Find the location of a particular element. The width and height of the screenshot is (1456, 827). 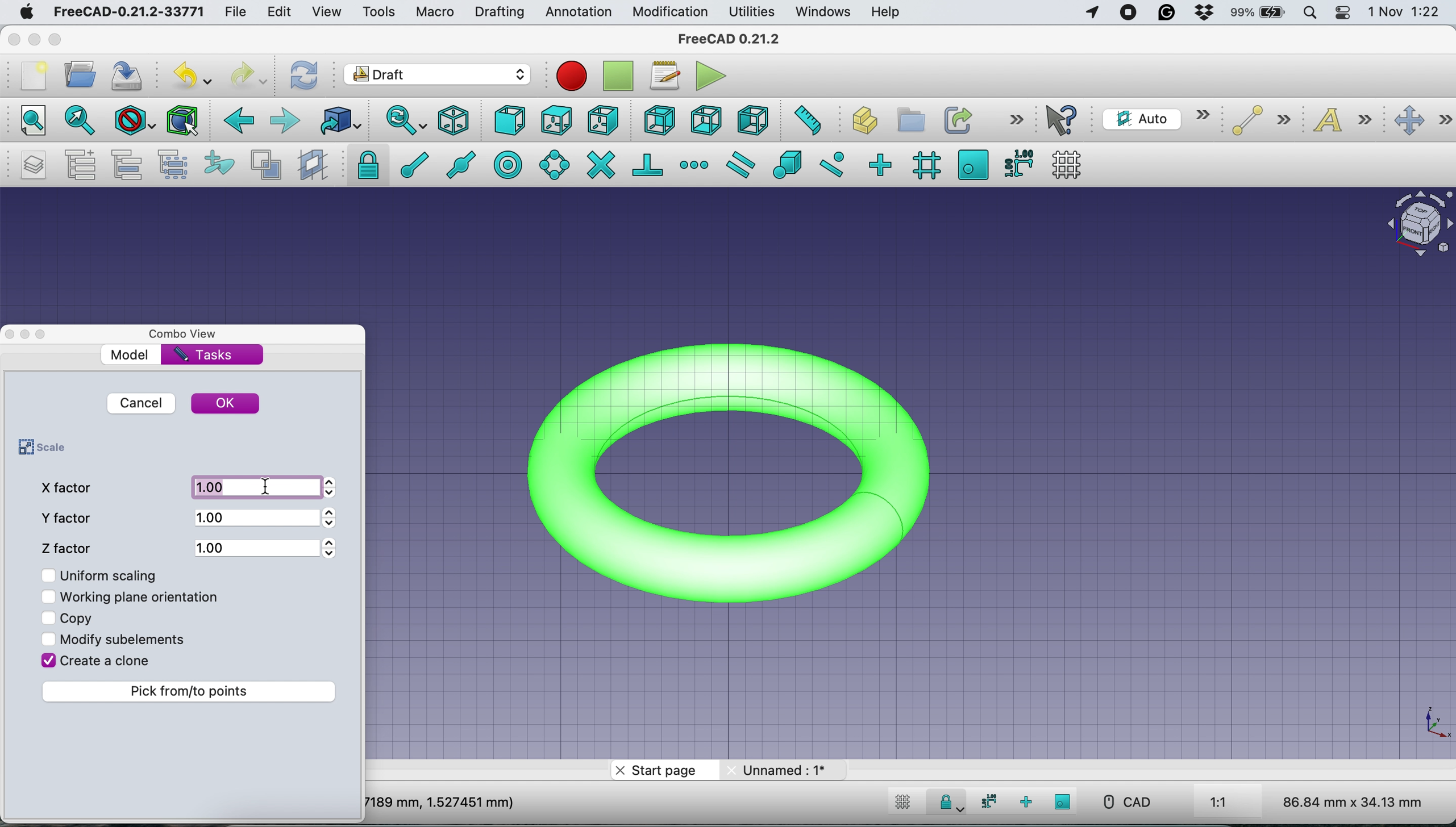

control center is located at coordinates (1342, 14).